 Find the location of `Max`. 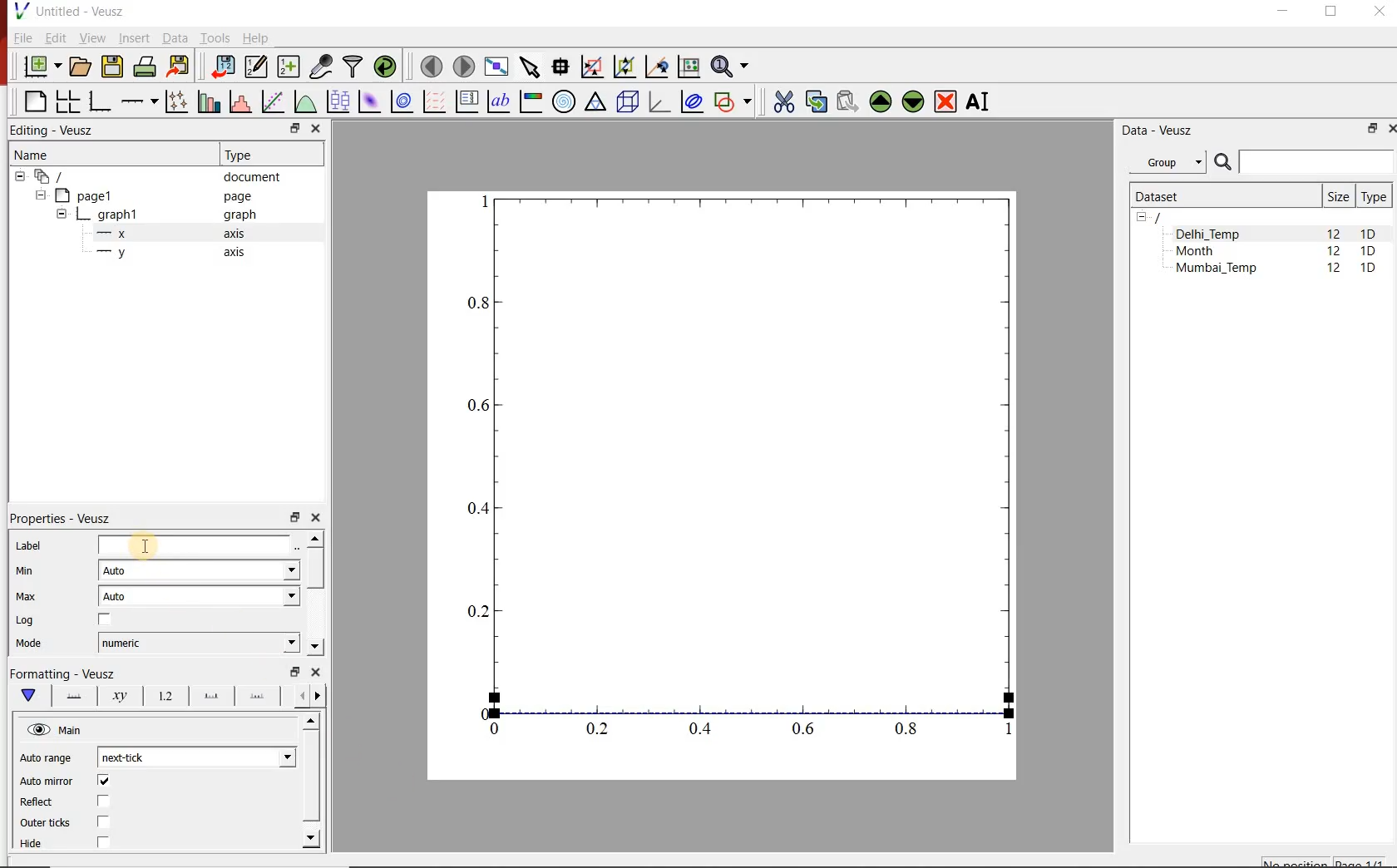

Max is located at coordinates (27, 596).